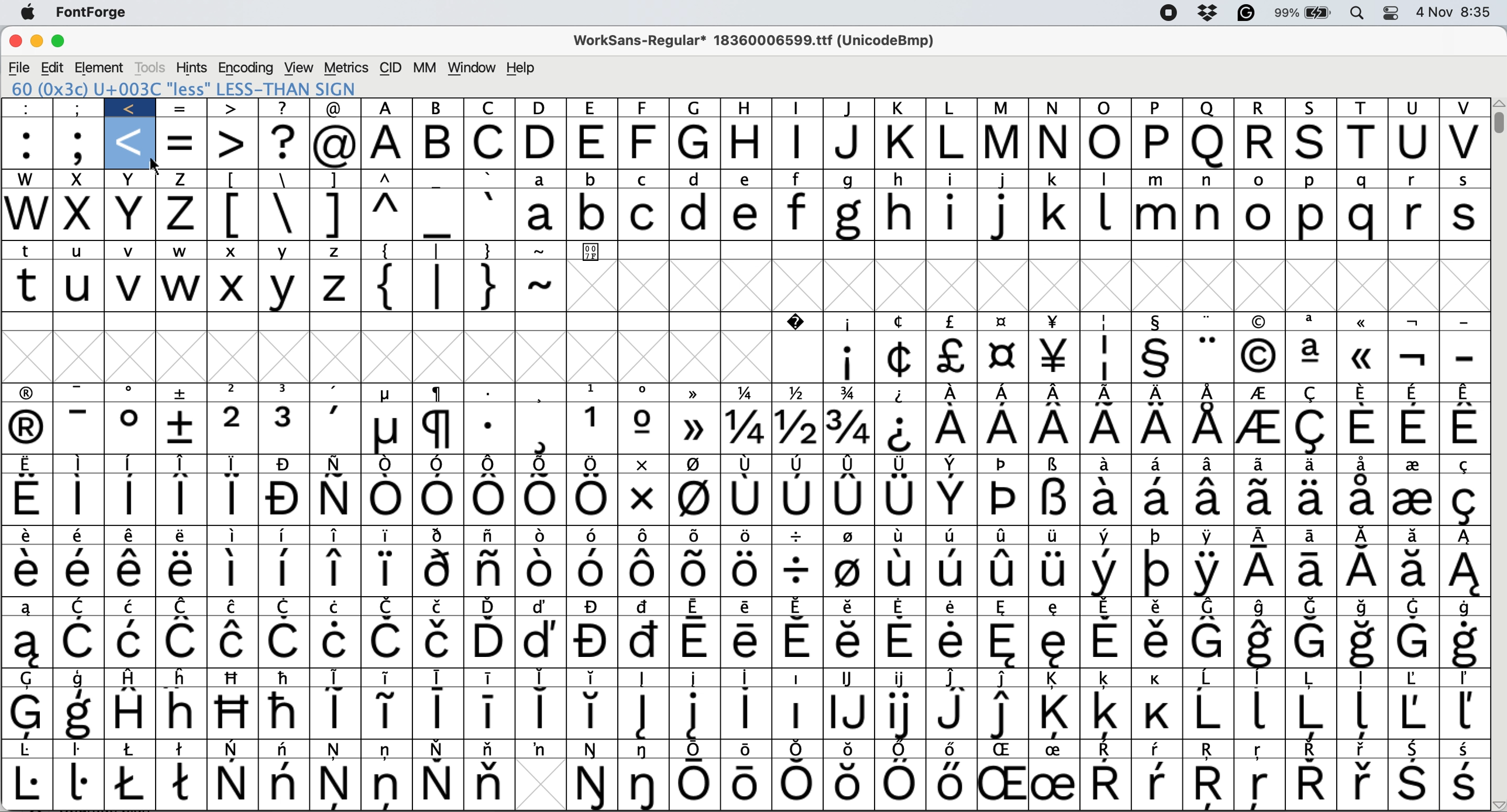 The height and width of the screenshot is (812, 1507). I want to click on Symbol, so click(642, 715).